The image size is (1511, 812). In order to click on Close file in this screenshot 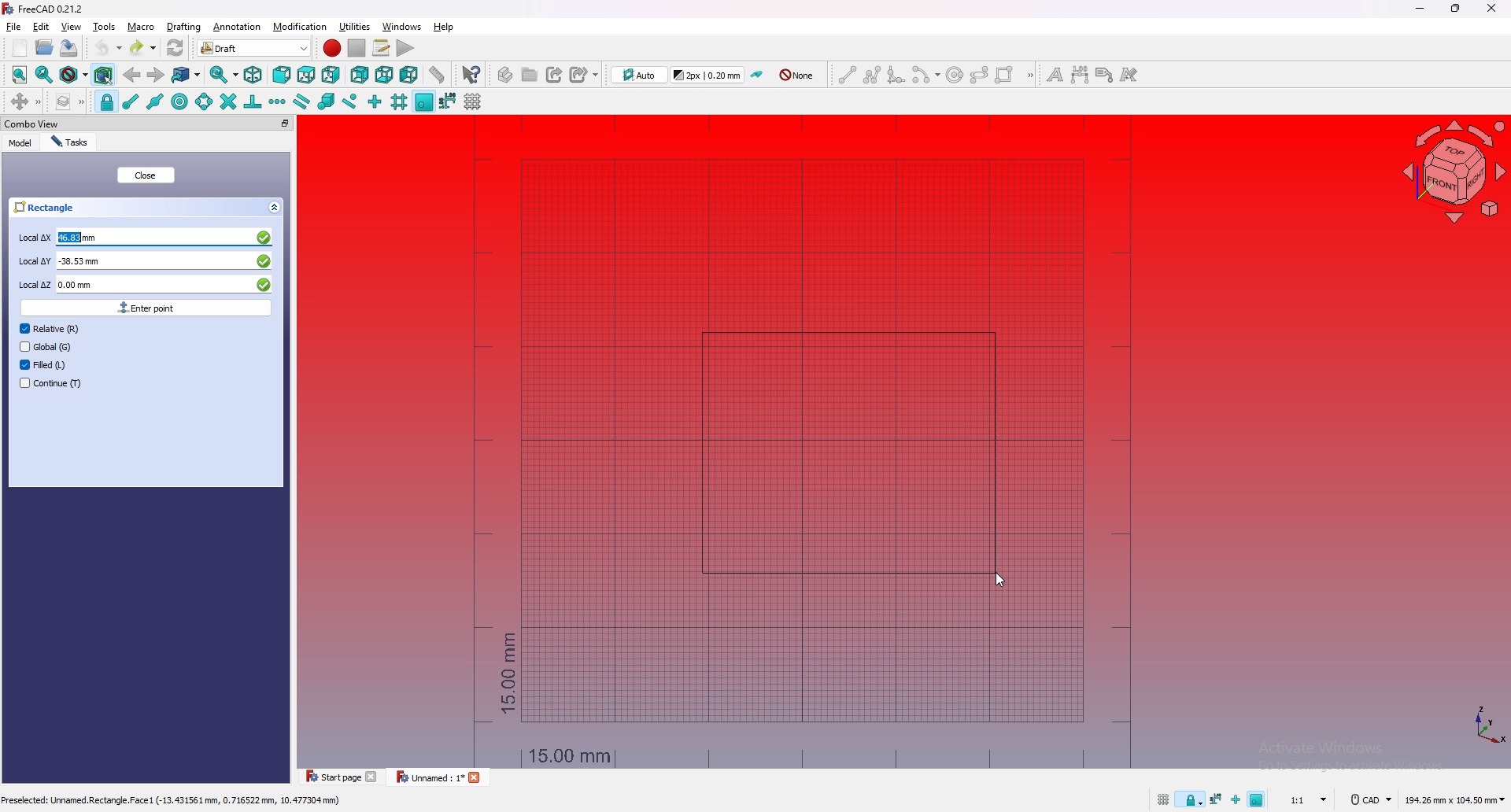, I will do `click(374, 777)`.